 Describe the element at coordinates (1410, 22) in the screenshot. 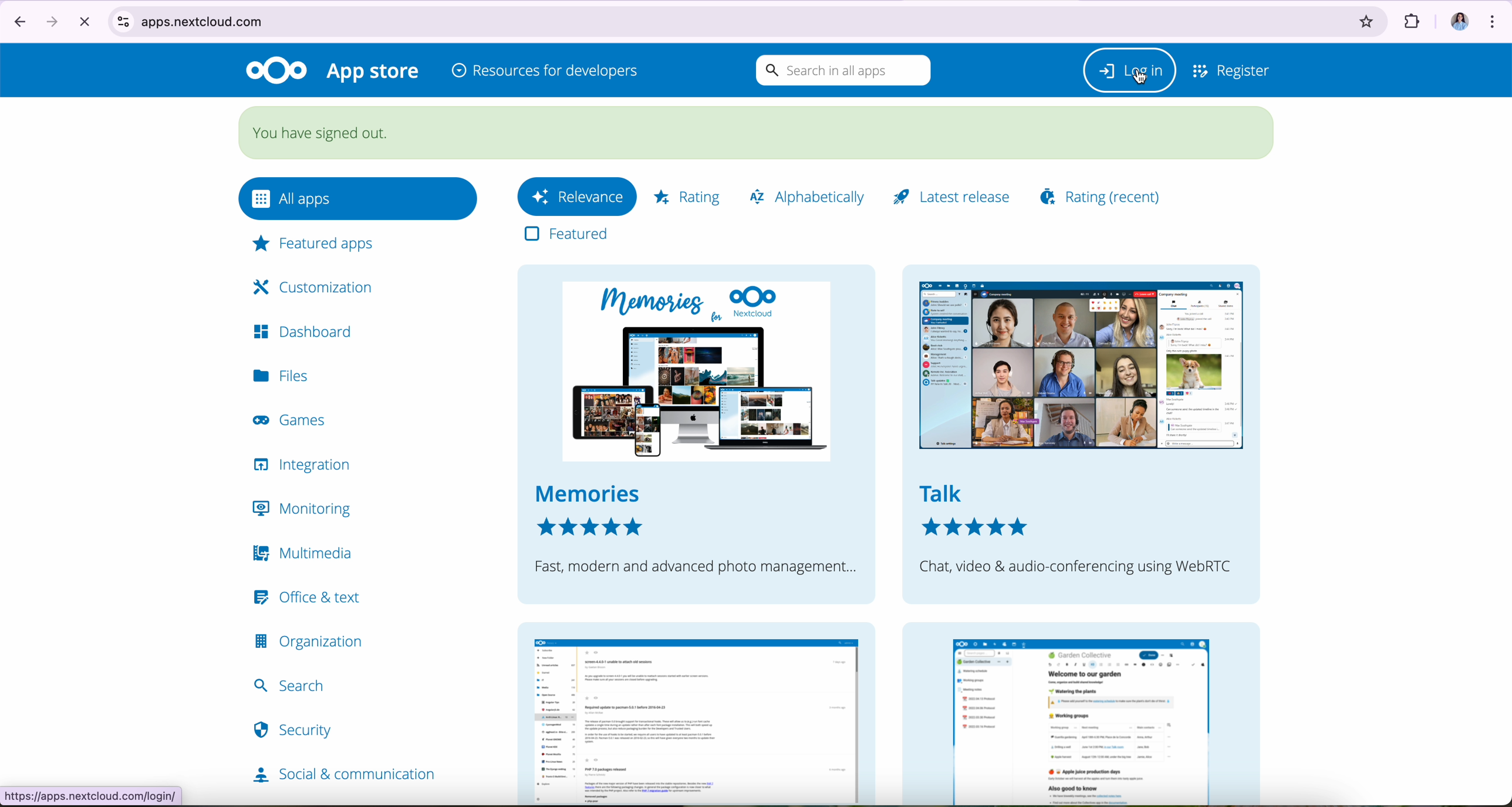

I see `extensions` at that location.